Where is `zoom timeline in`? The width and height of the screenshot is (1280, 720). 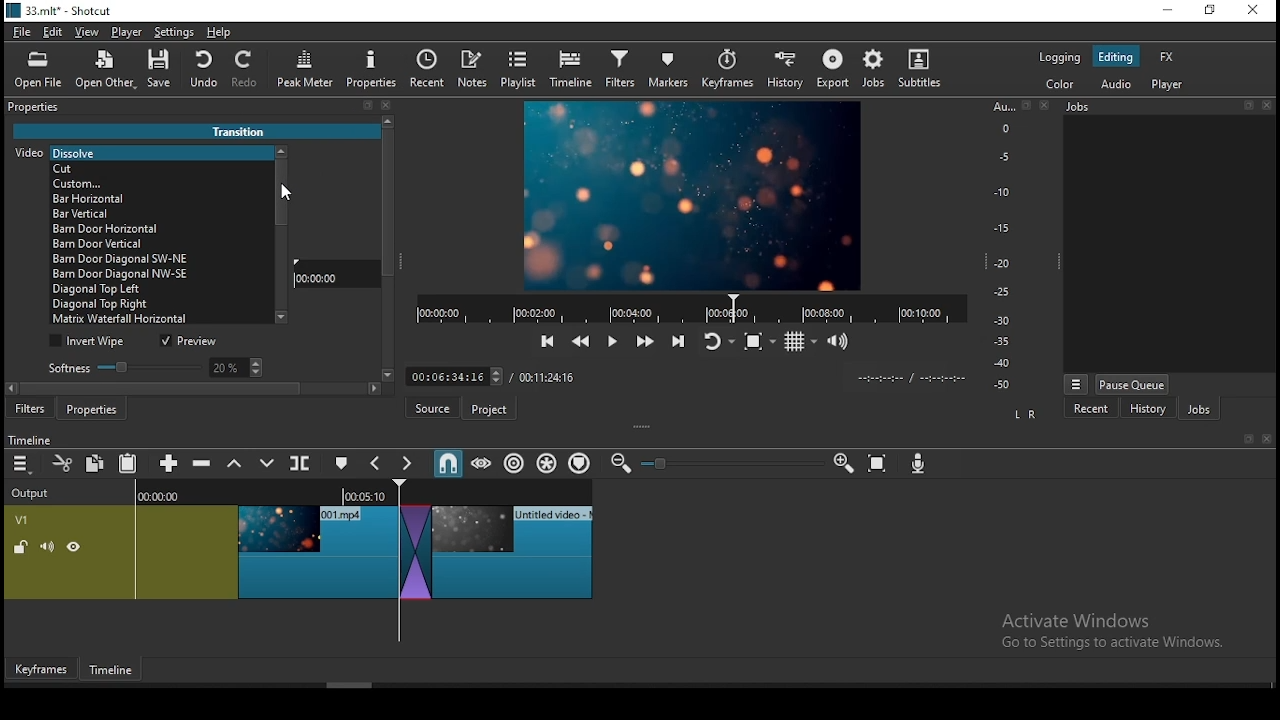 zoom timeline in is located at coordinates (843, 464).